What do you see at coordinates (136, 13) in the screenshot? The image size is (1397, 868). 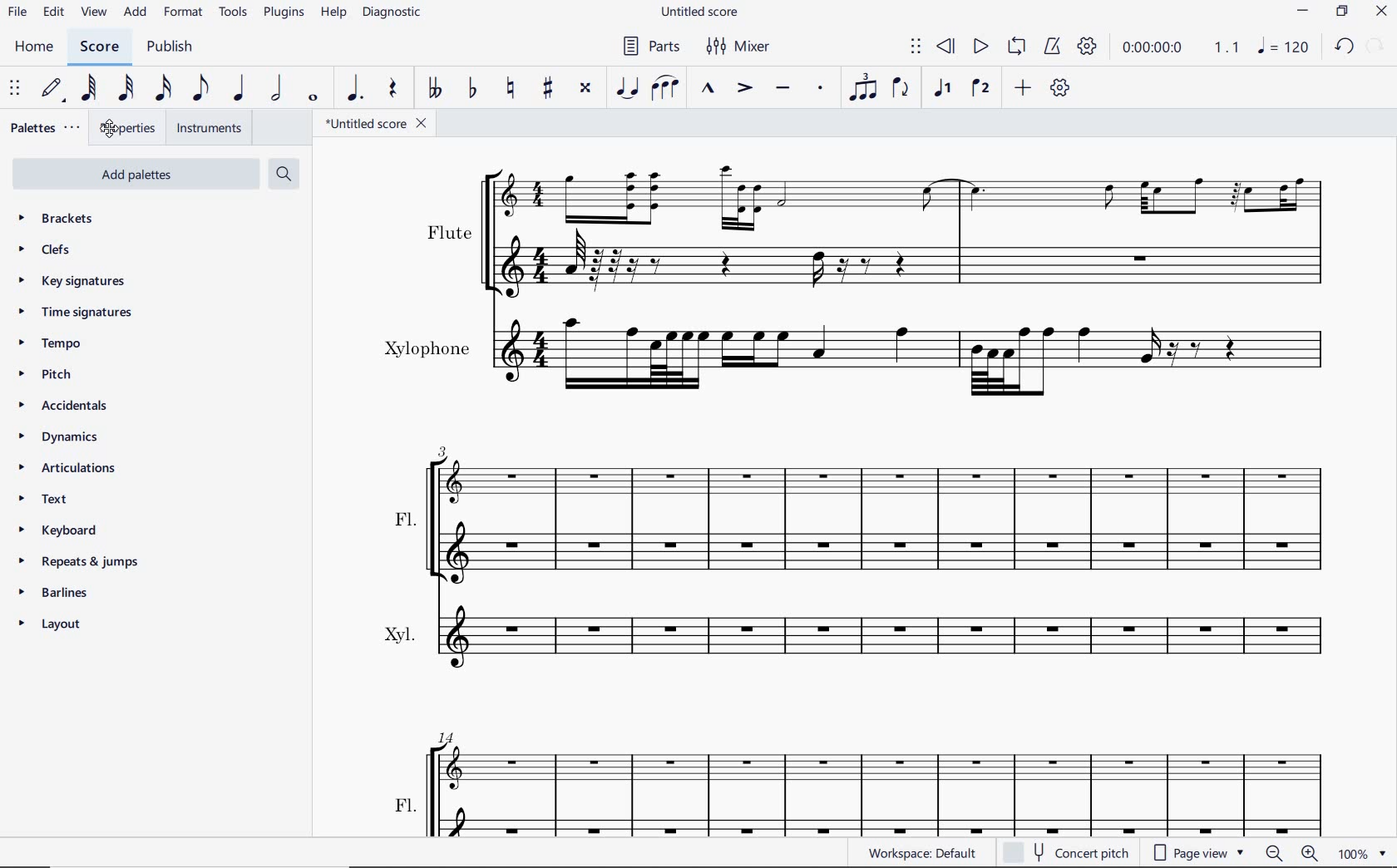 I see `ADD` at bounding box center [136, 13].